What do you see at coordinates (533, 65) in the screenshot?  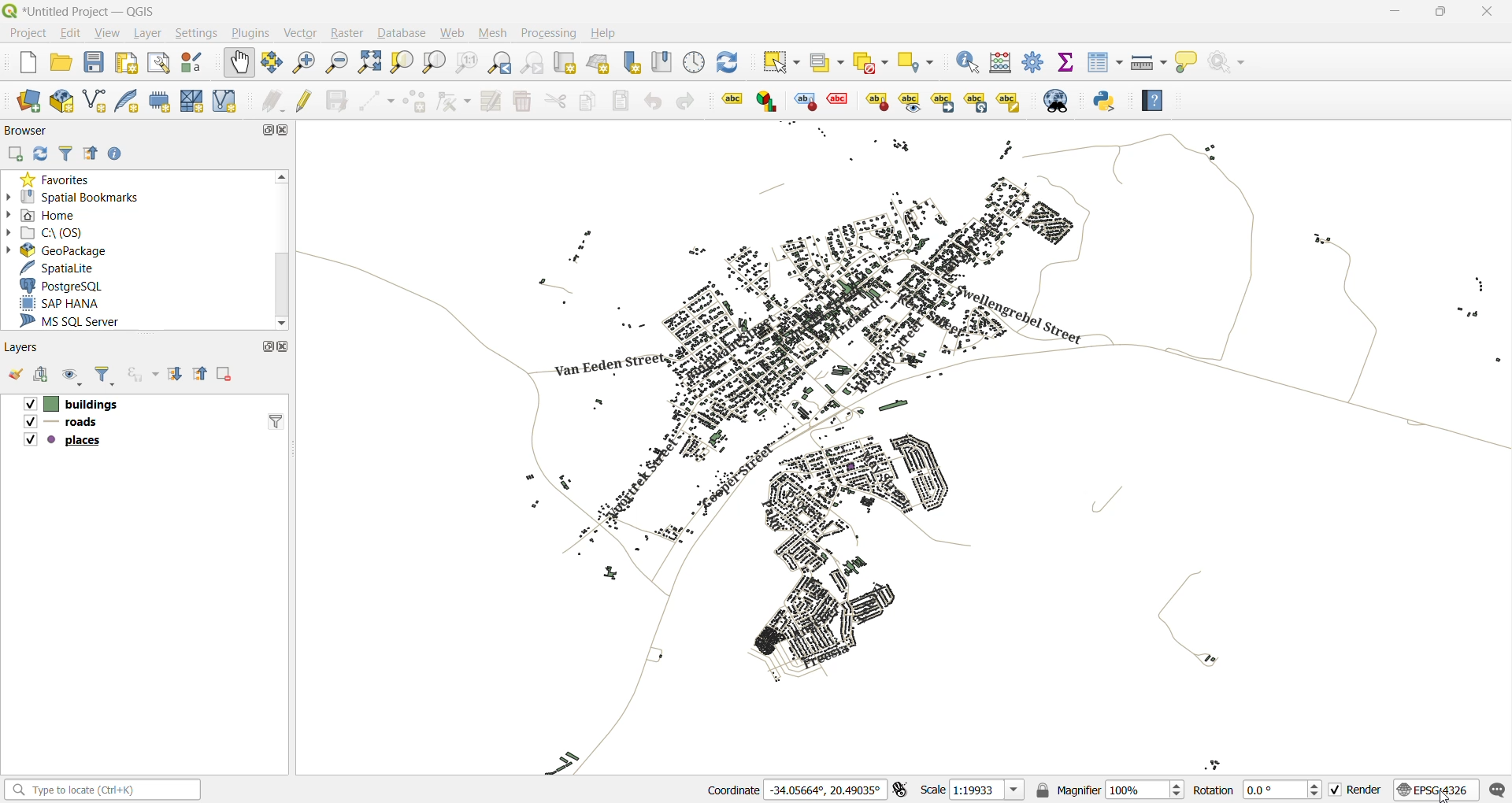 I see `zoom next` at bounding box center [533, 65].